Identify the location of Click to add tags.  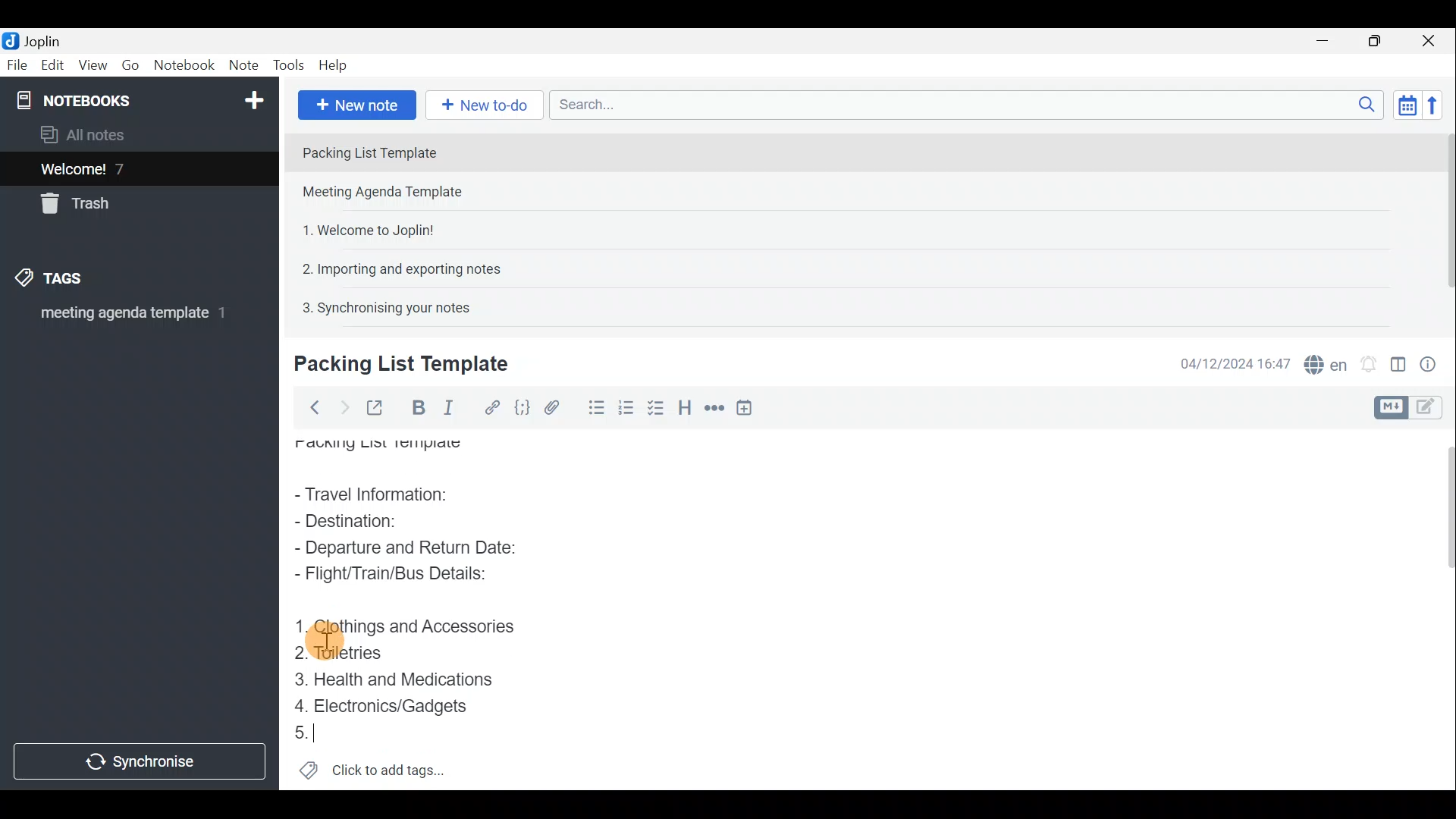
(372, 766).